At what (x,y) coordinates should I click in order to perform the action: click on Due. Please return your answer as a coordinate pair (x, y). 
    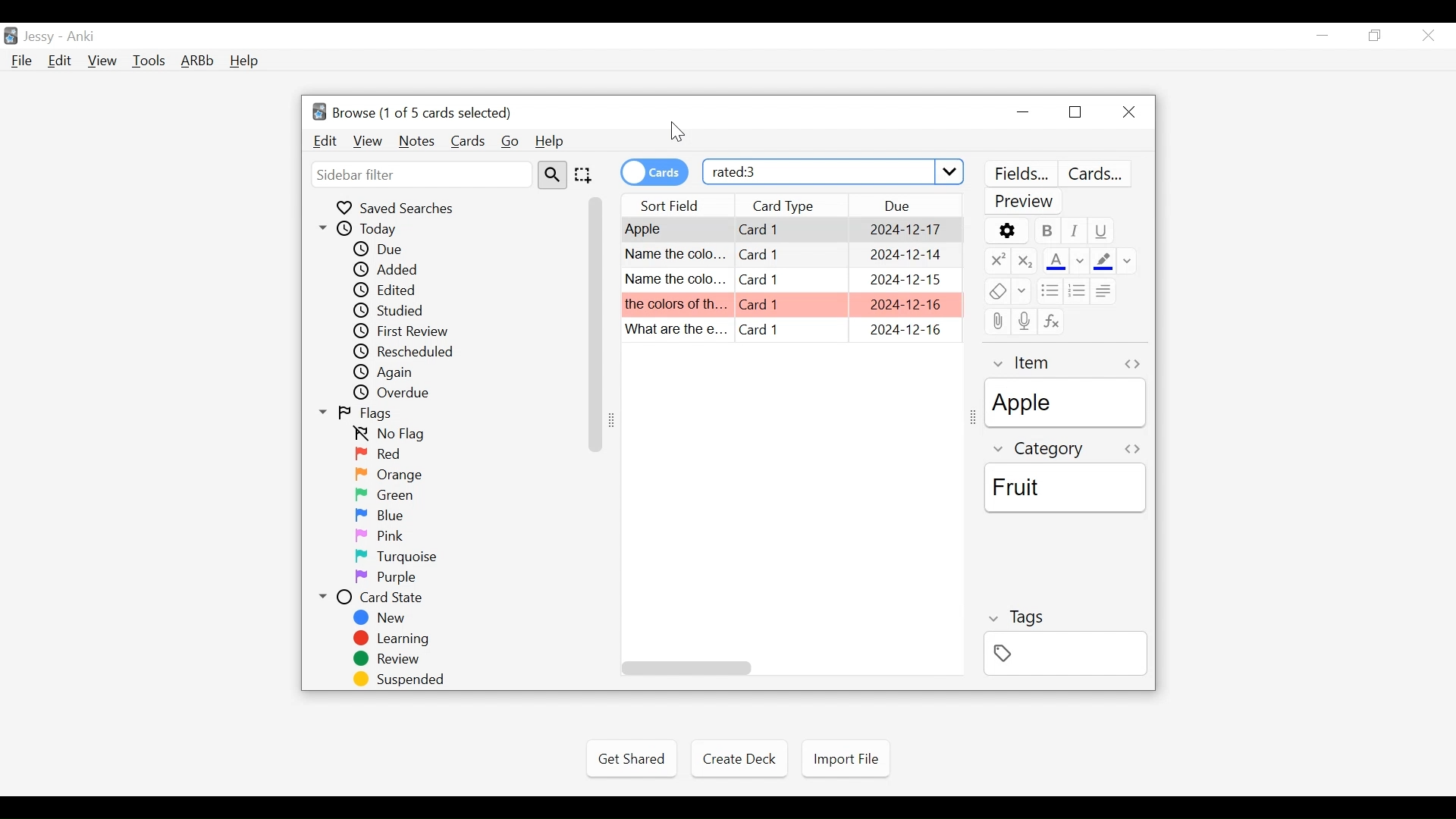
    Looking at the image, I should click on (386, 248).